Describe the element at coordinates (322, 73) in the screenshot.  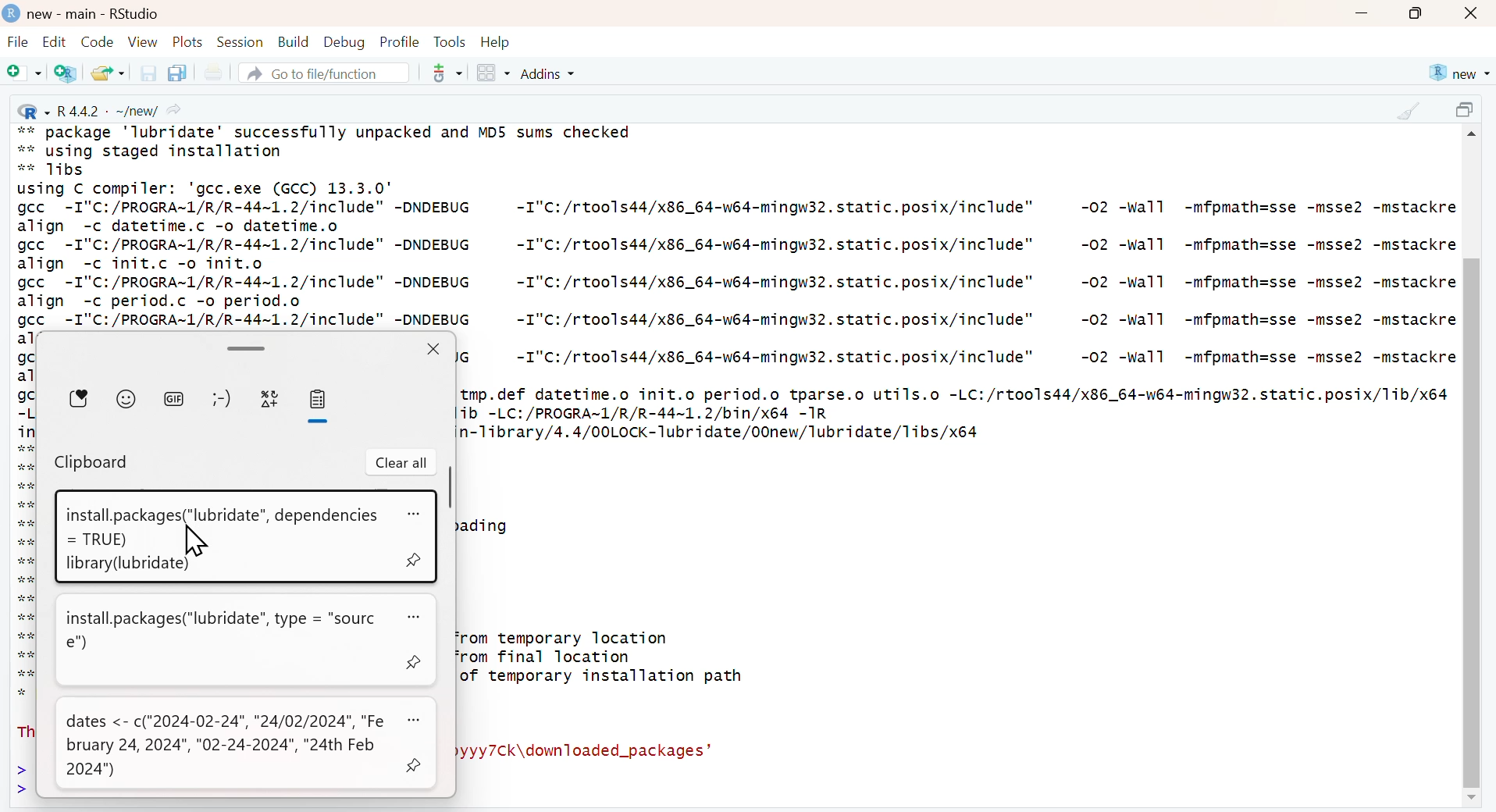
I see `Go to file/function` at that location.